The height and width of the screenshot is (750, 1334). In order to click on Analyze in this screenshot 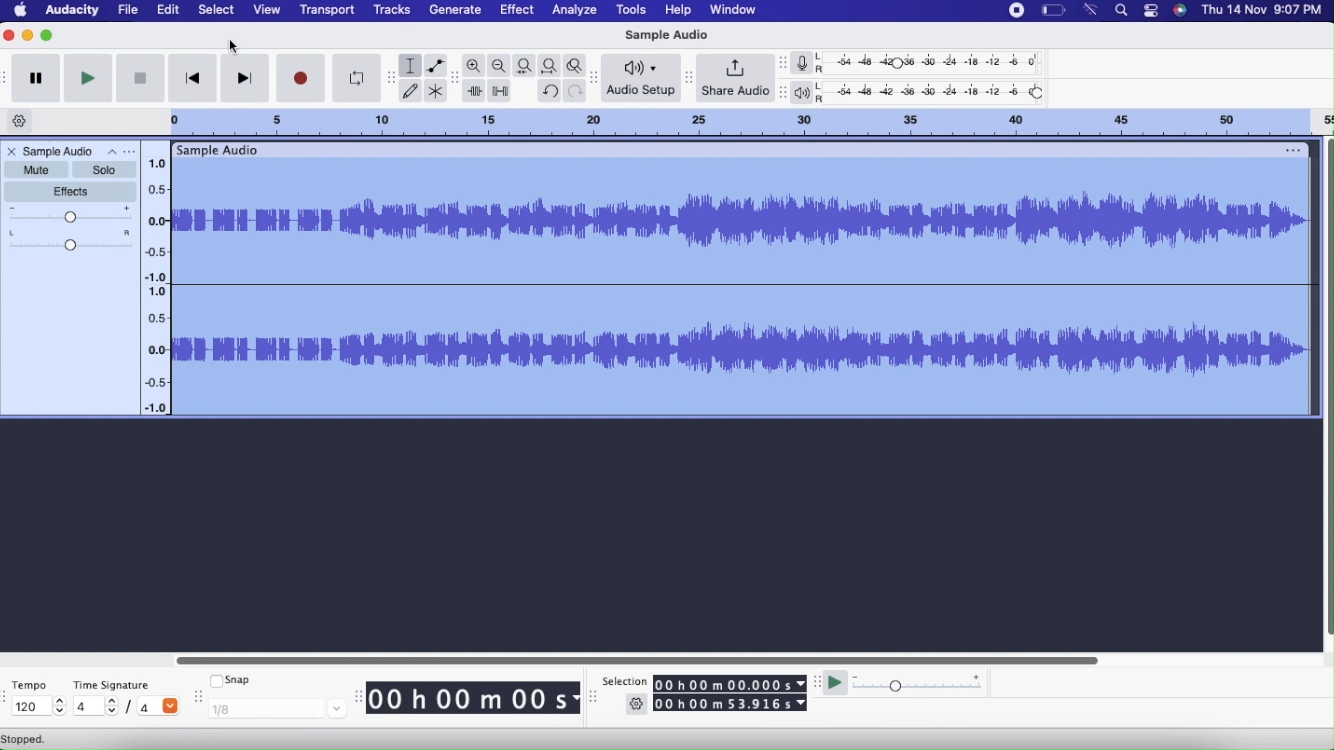, I will do `click(576, 10)`.